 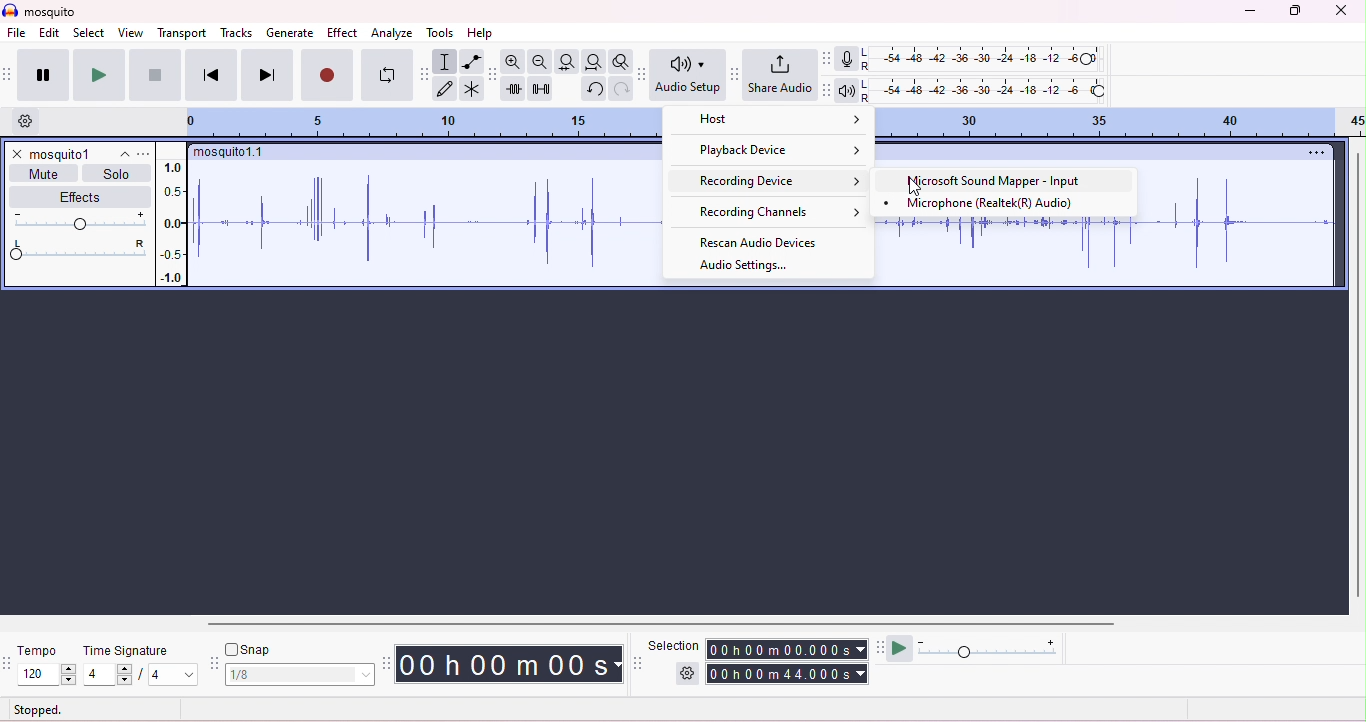 I want to click on track title, so click(x=231, y=154).